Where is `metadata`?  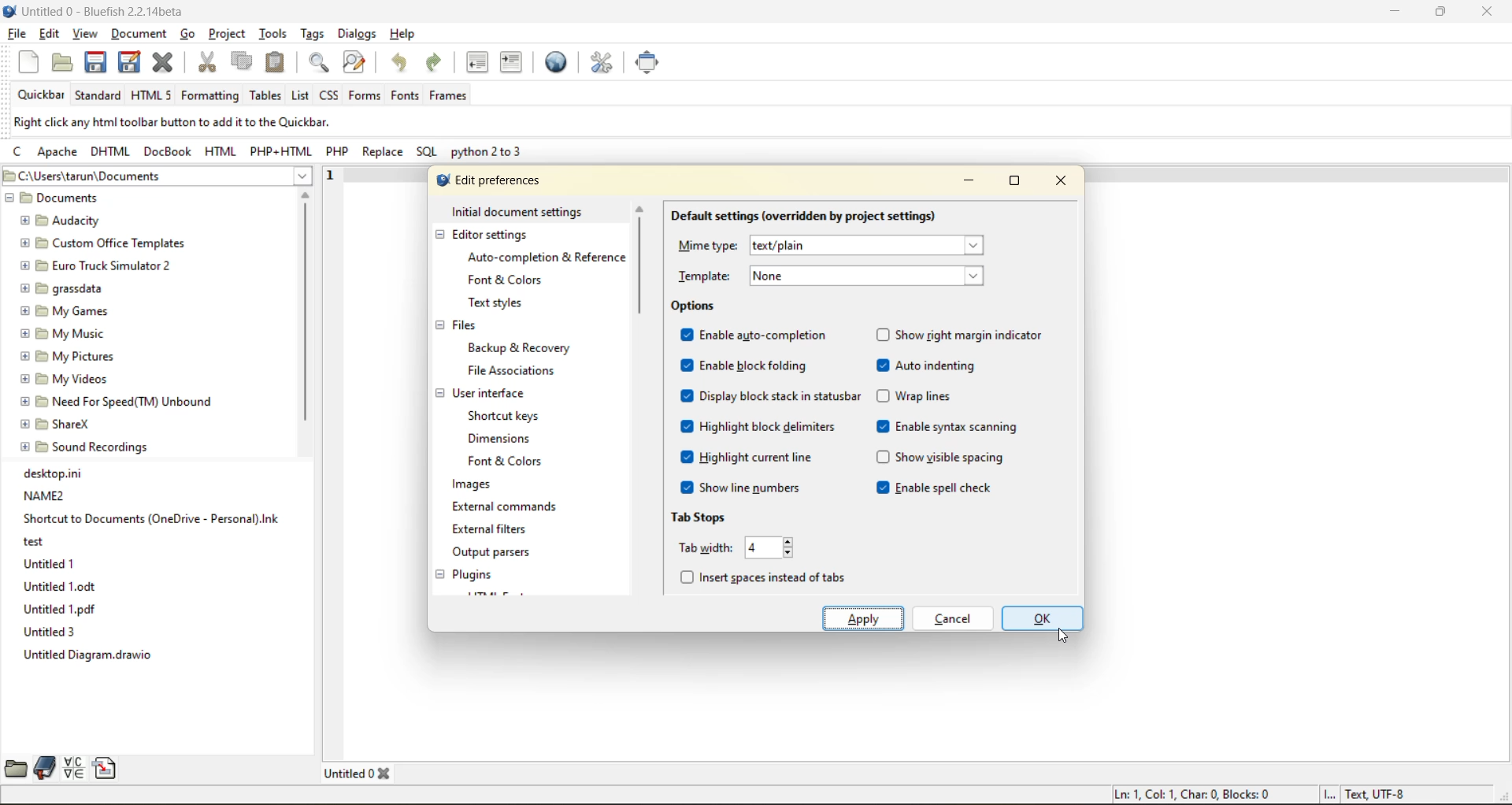 metadata is located at coordinates (170, 123).